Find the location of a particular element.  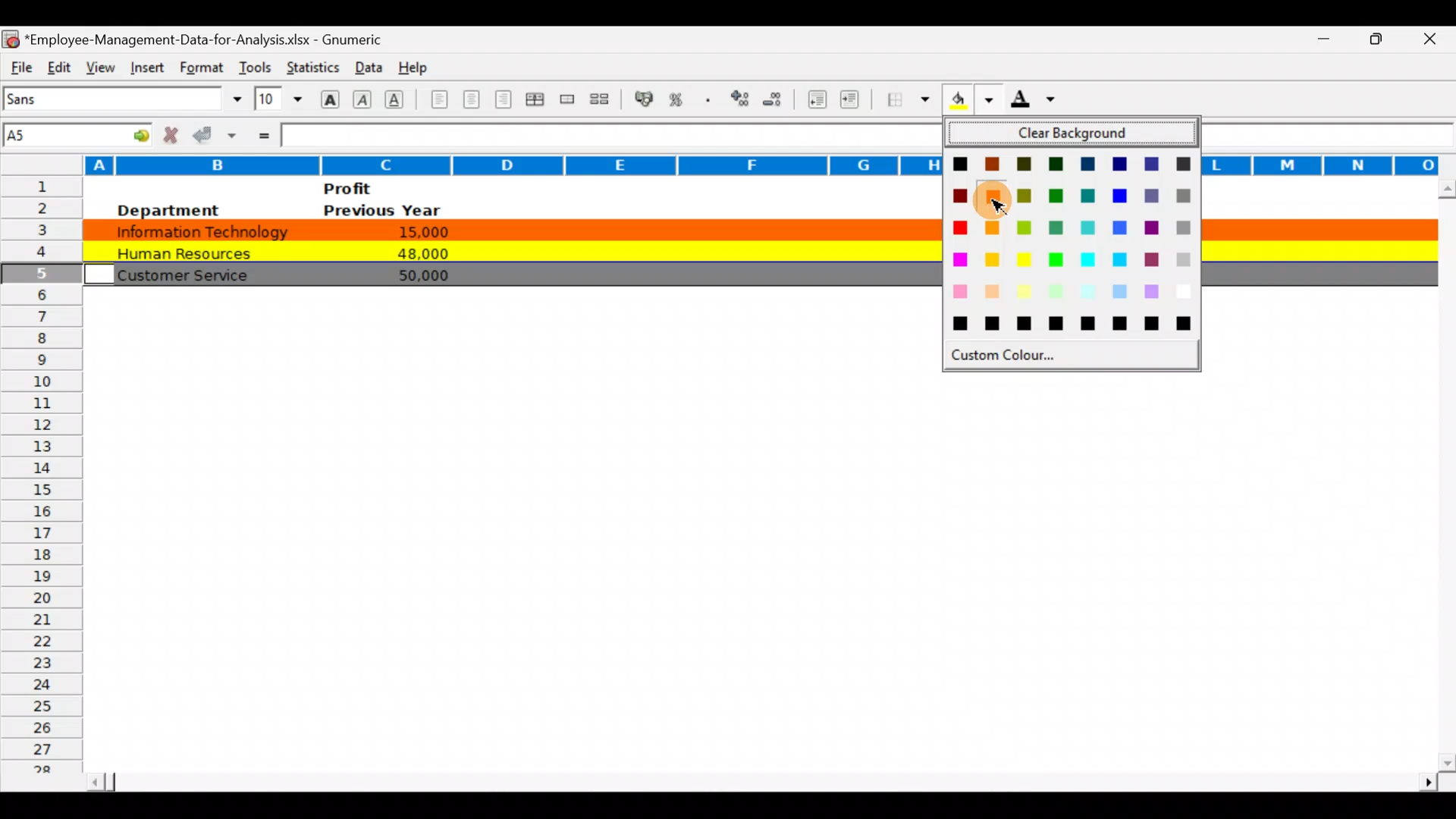

Borders is located at coordinates (908, 99).